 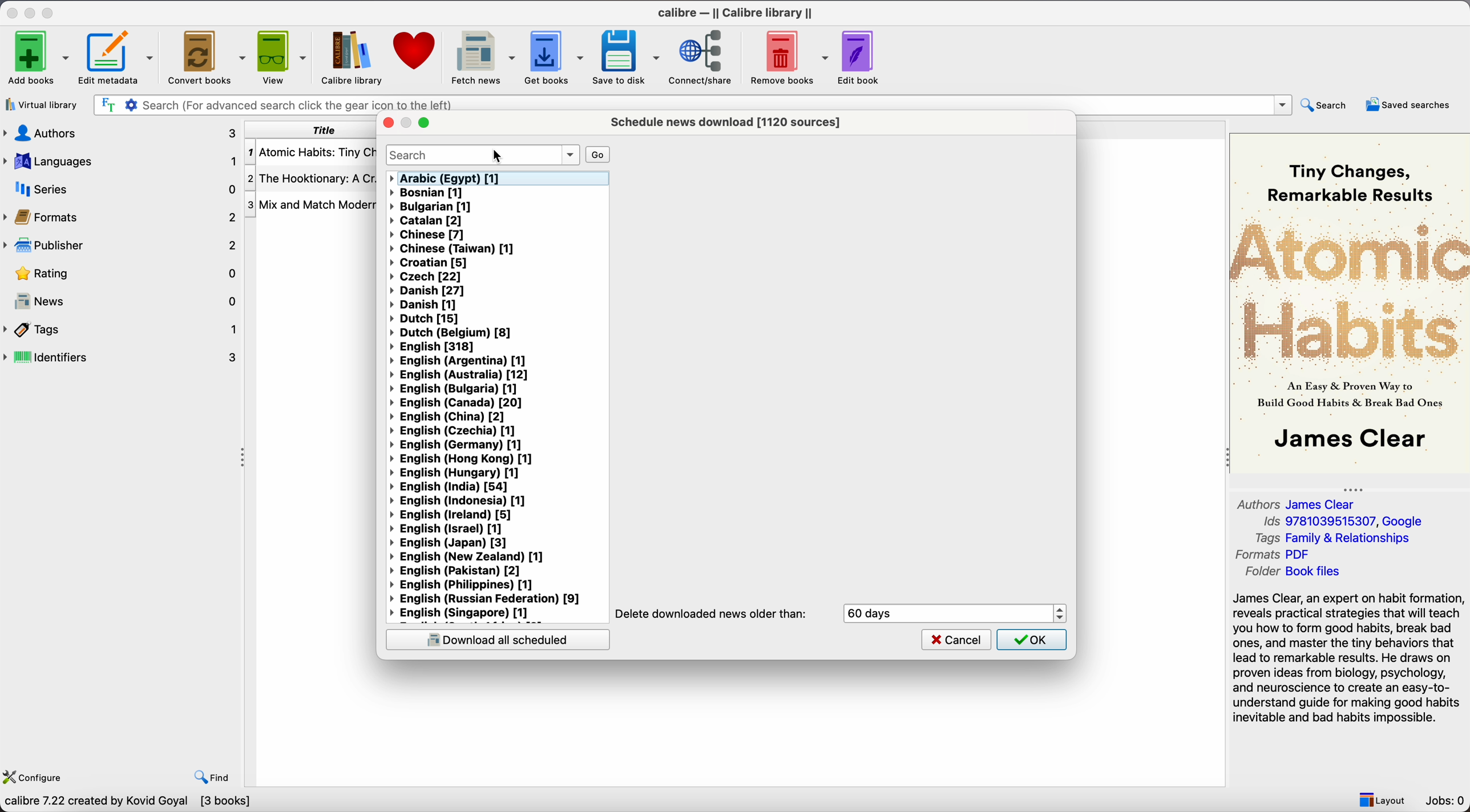 I want to click on close popup, so click(x=387, y=123).